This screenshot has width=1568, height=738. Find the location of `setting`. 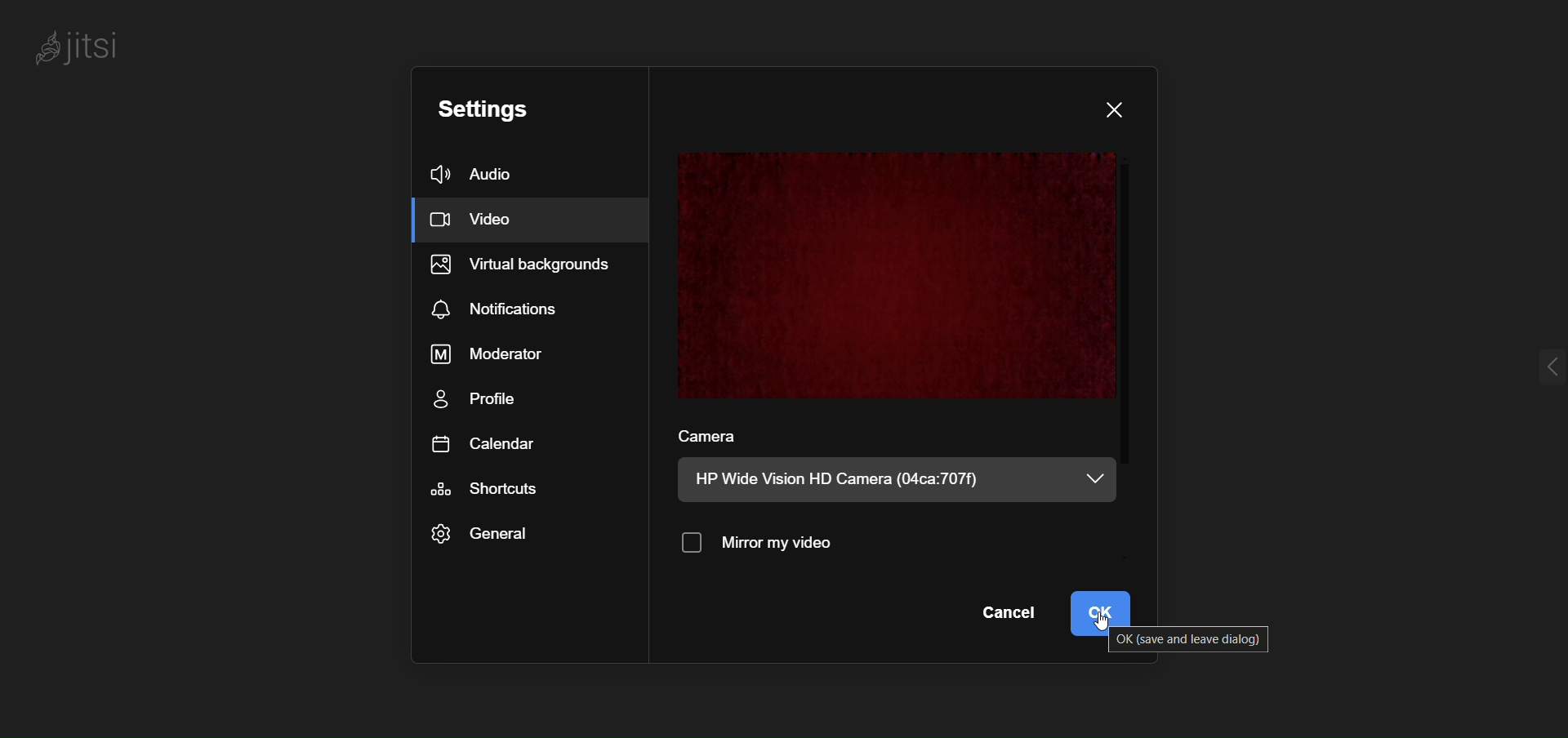

setting is located at coordinates (490, 107).